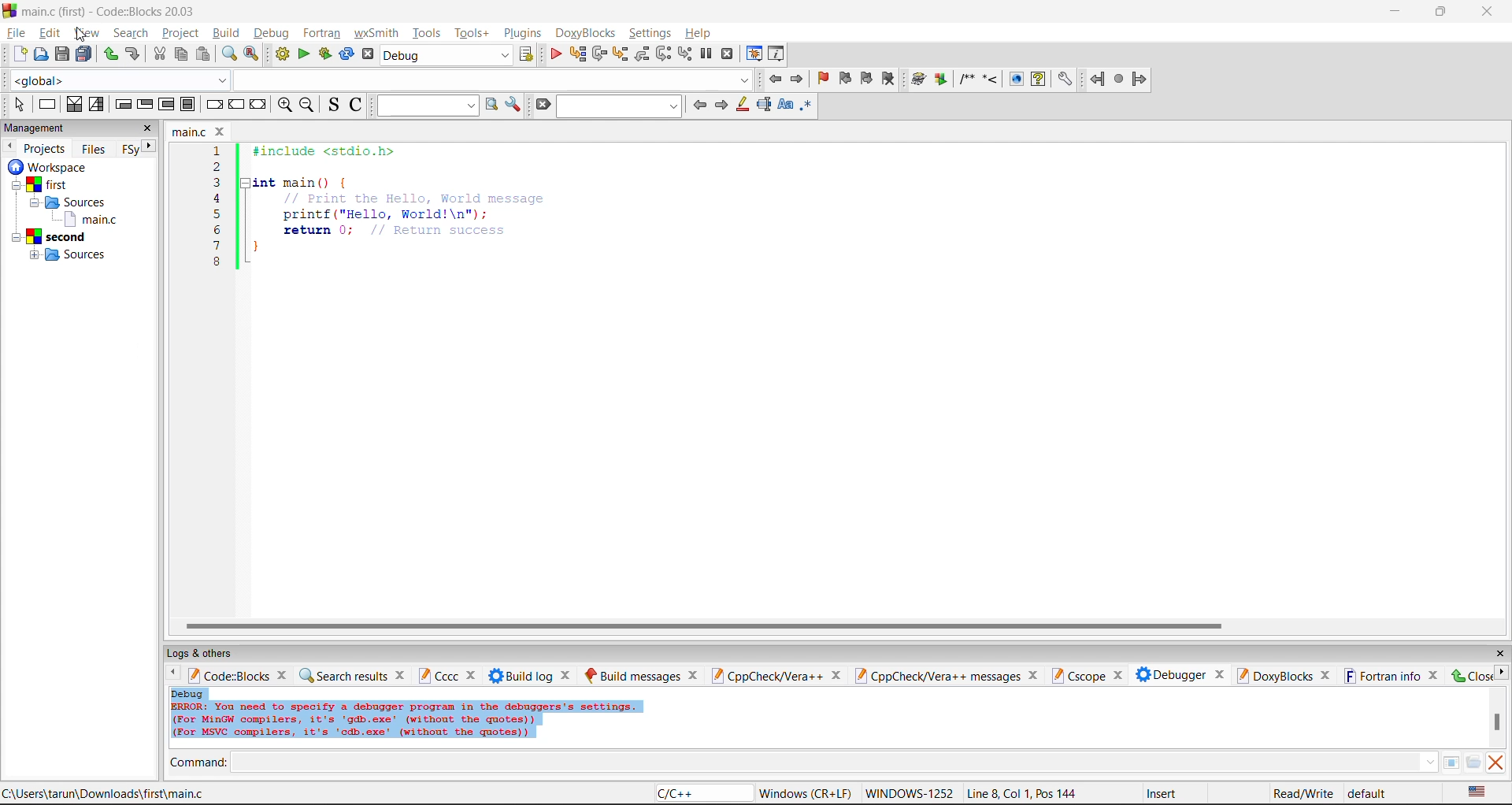 Image resolution: width=1512 pixels, height=805 pixels. What do you see at coordinates (527, 33) in the screenshot?
I see `plugins` at bounding box center [527, 33].